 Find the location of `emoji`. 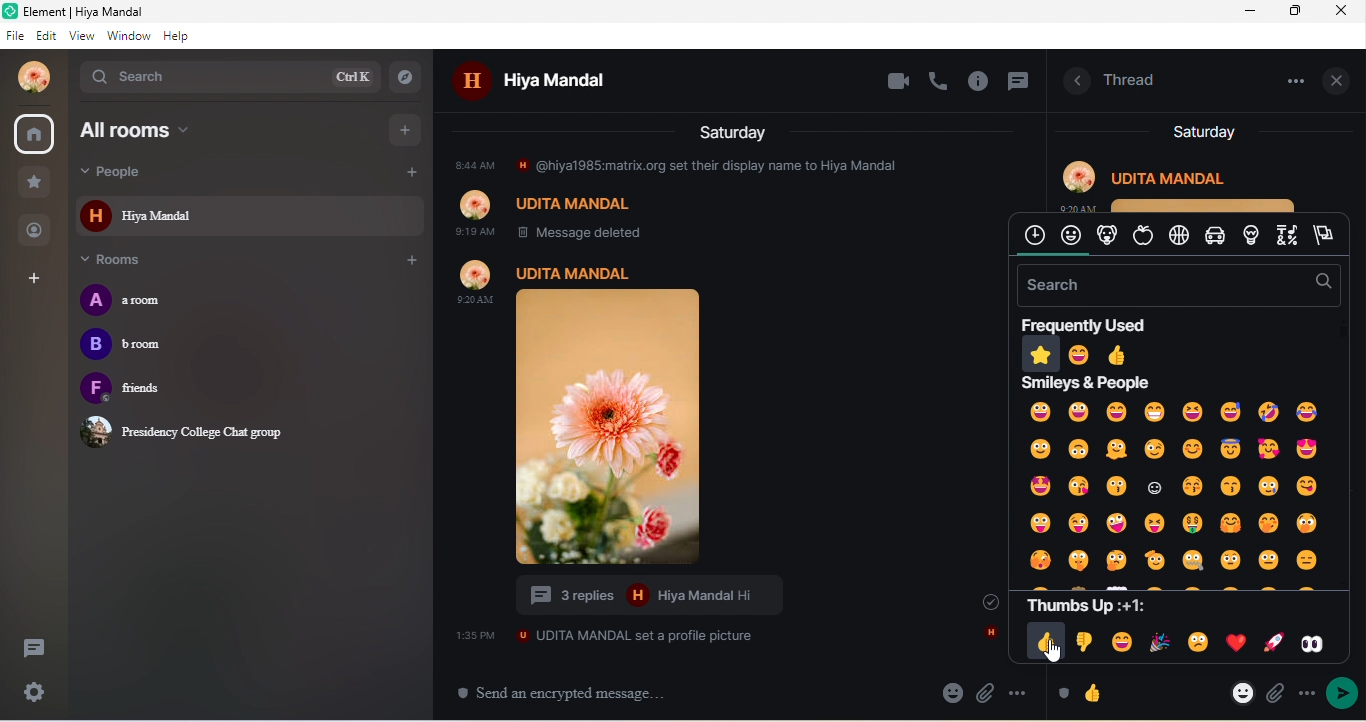

emoji is located at coordinates (1086, 692).